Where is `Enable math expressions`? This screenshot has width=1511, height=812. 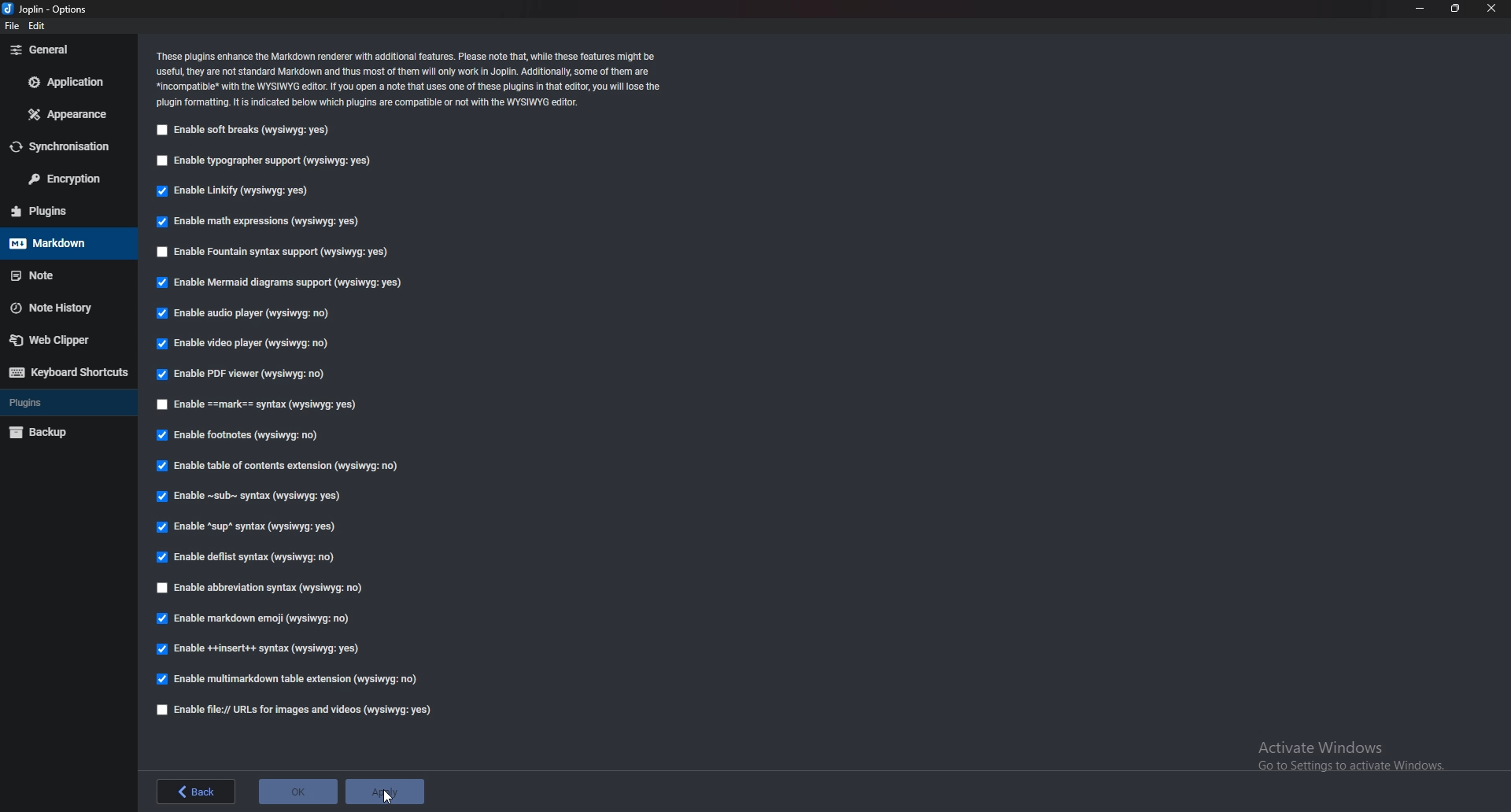
Enable math expressions is located at coordinates (268, 223).